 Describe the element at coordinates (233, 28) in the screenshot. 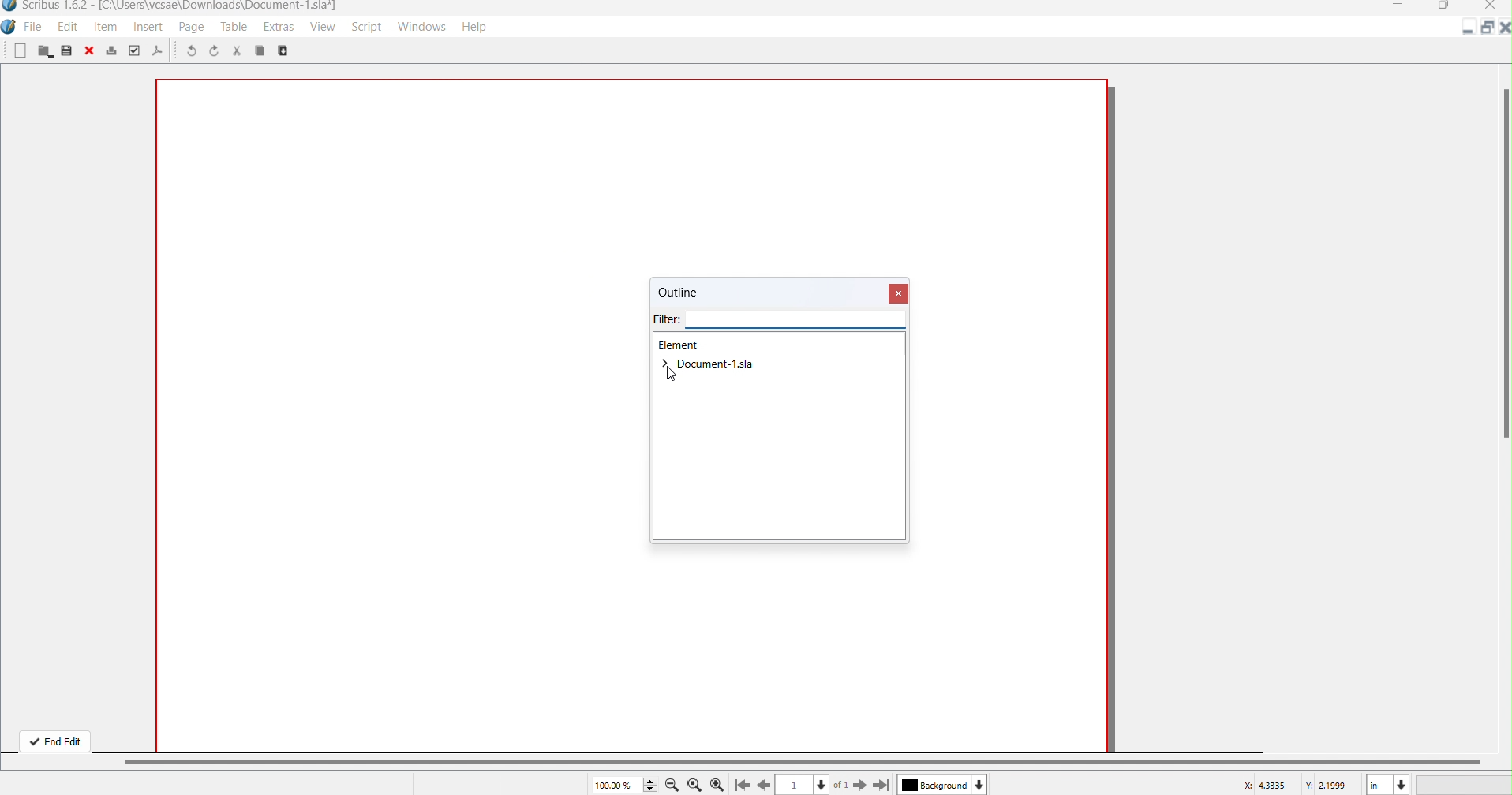

I see `` at that location.